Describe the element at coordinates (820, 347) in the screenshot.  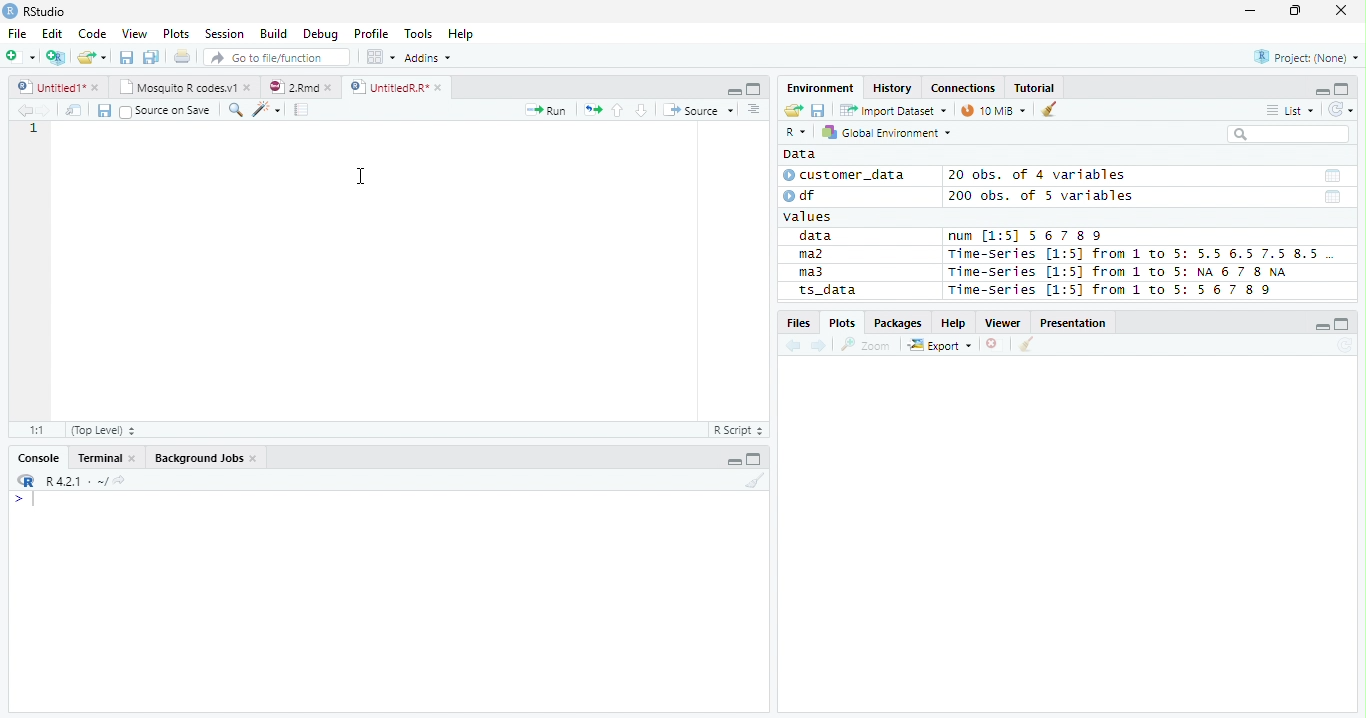
I see `Next` at that location.